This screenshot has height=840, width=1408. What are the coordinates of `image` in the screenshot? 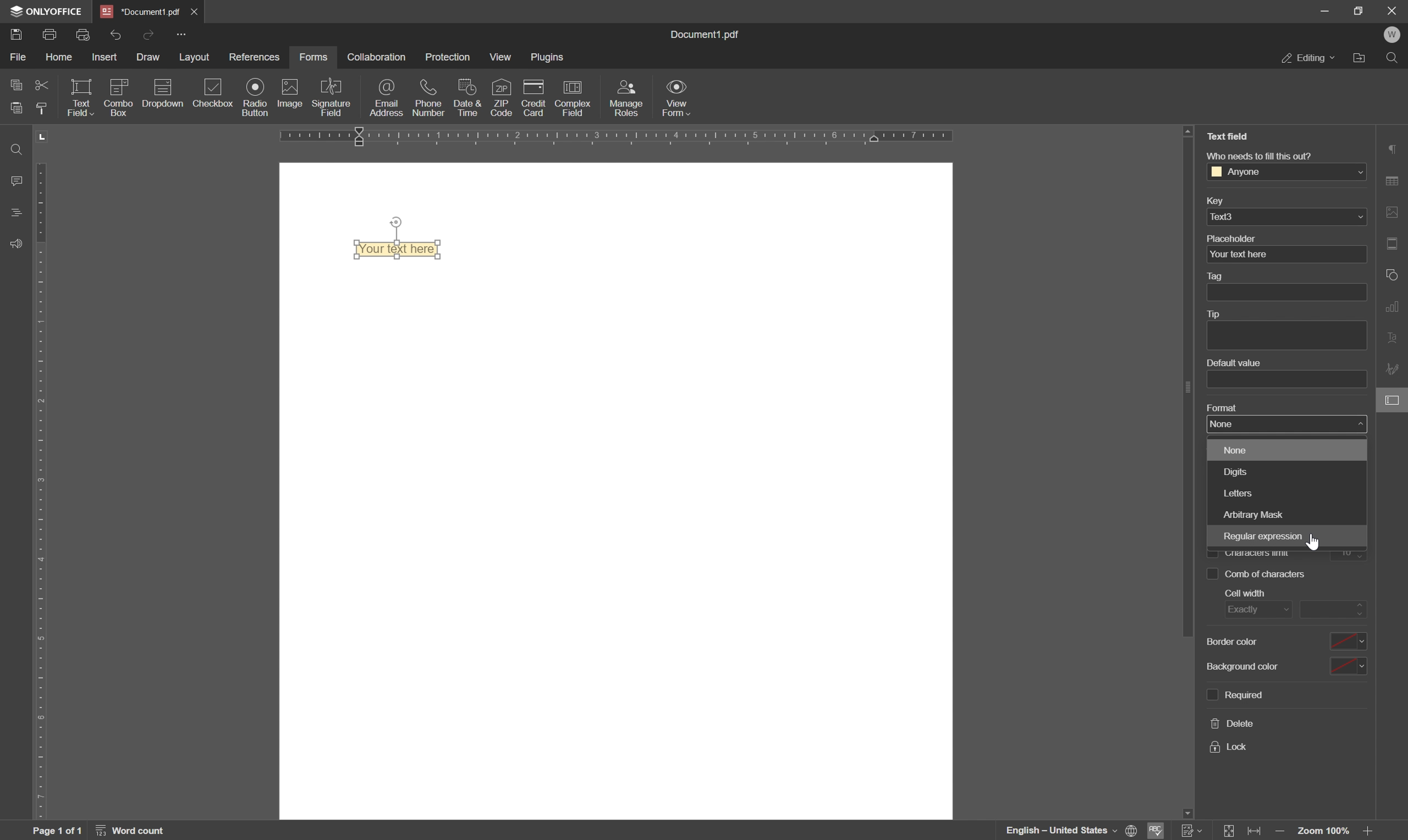 It's located at (289, 94).